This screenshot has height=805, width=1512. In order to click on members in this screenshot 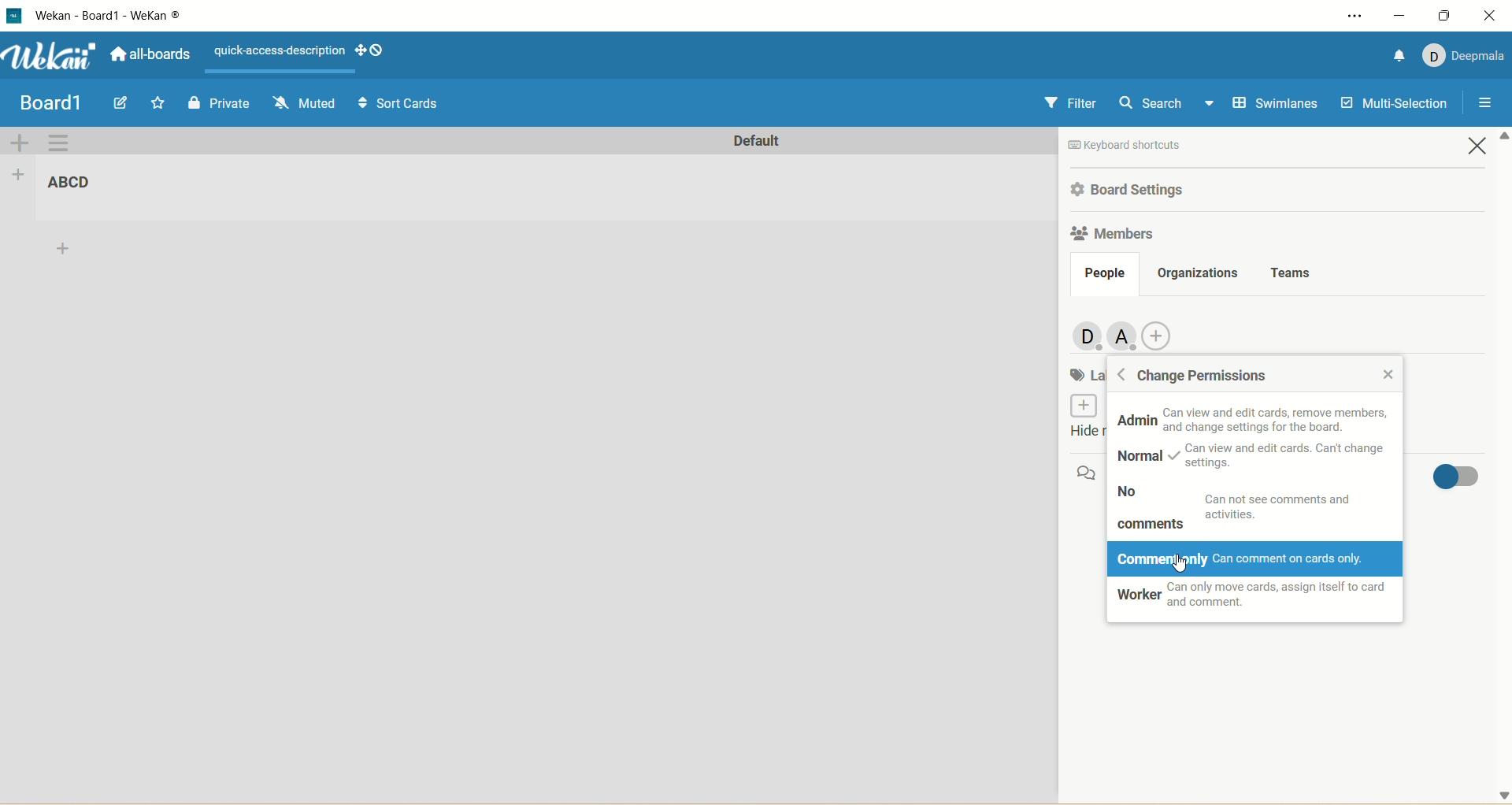, I will do `click(1084, 334)`.